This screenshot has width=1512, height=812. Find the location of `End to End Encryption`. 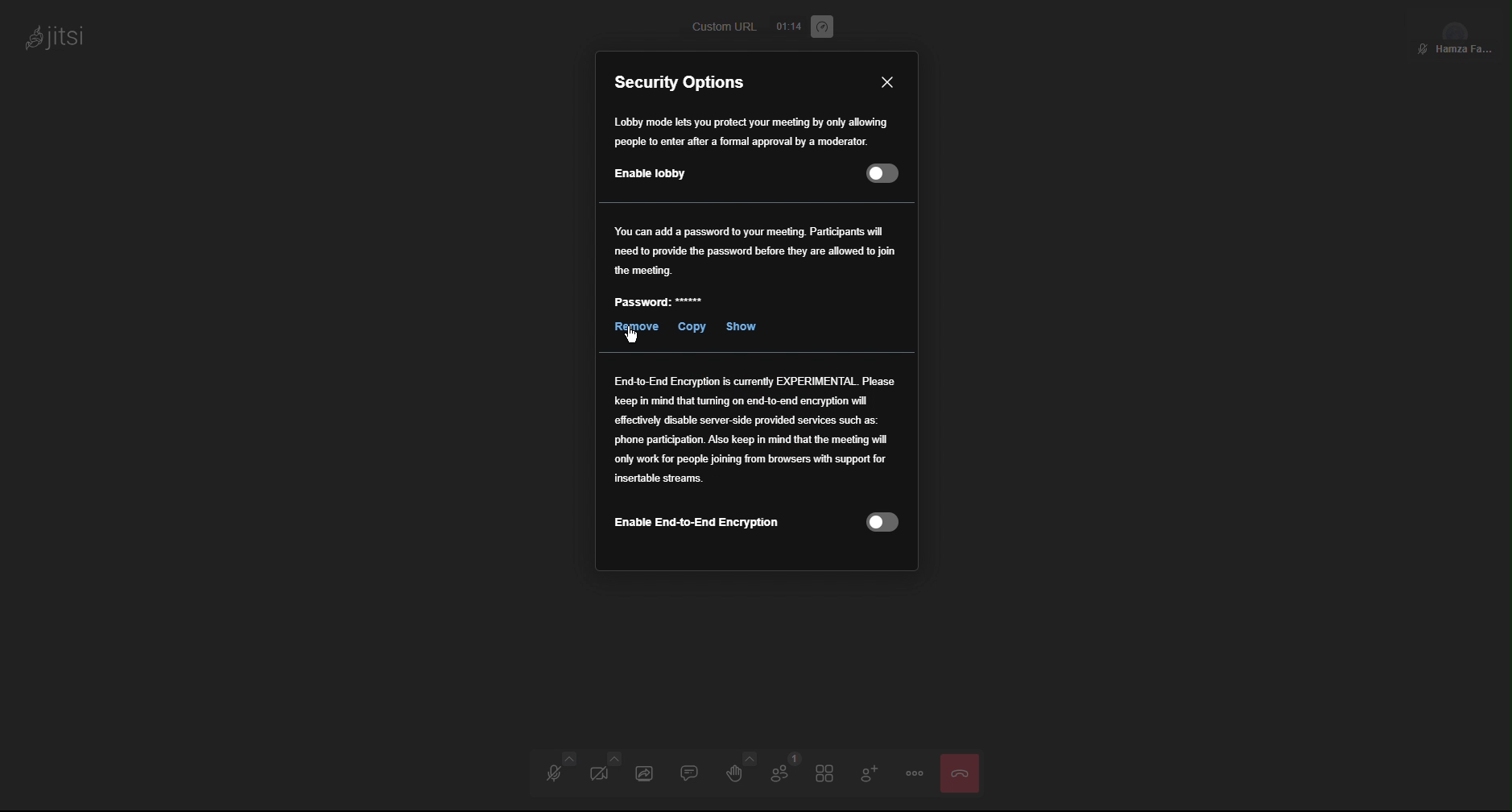

End to End Encryption is located at coordinates (754, 431).